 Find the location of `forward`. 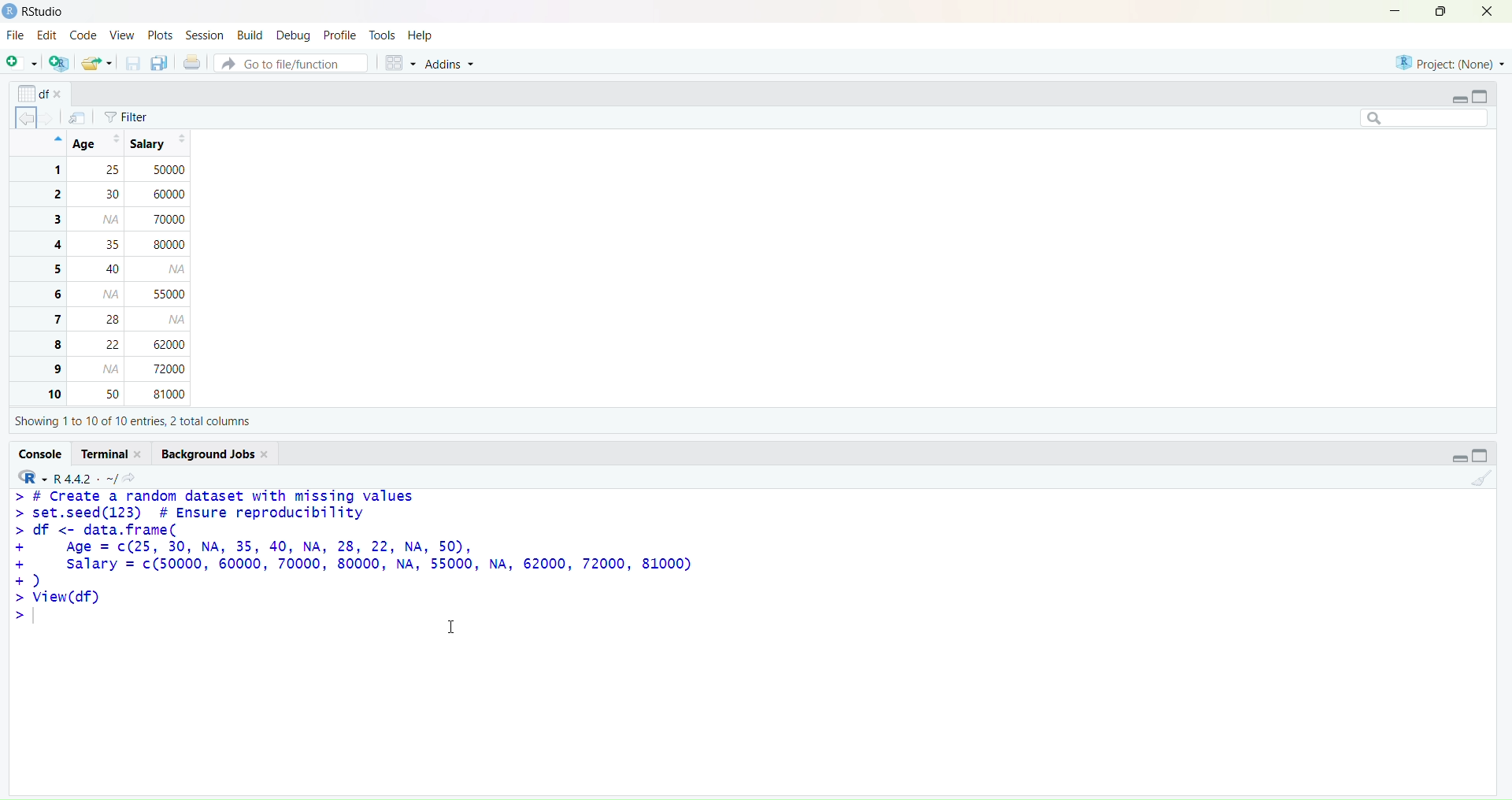

forward is located at coordinates (51, 118).